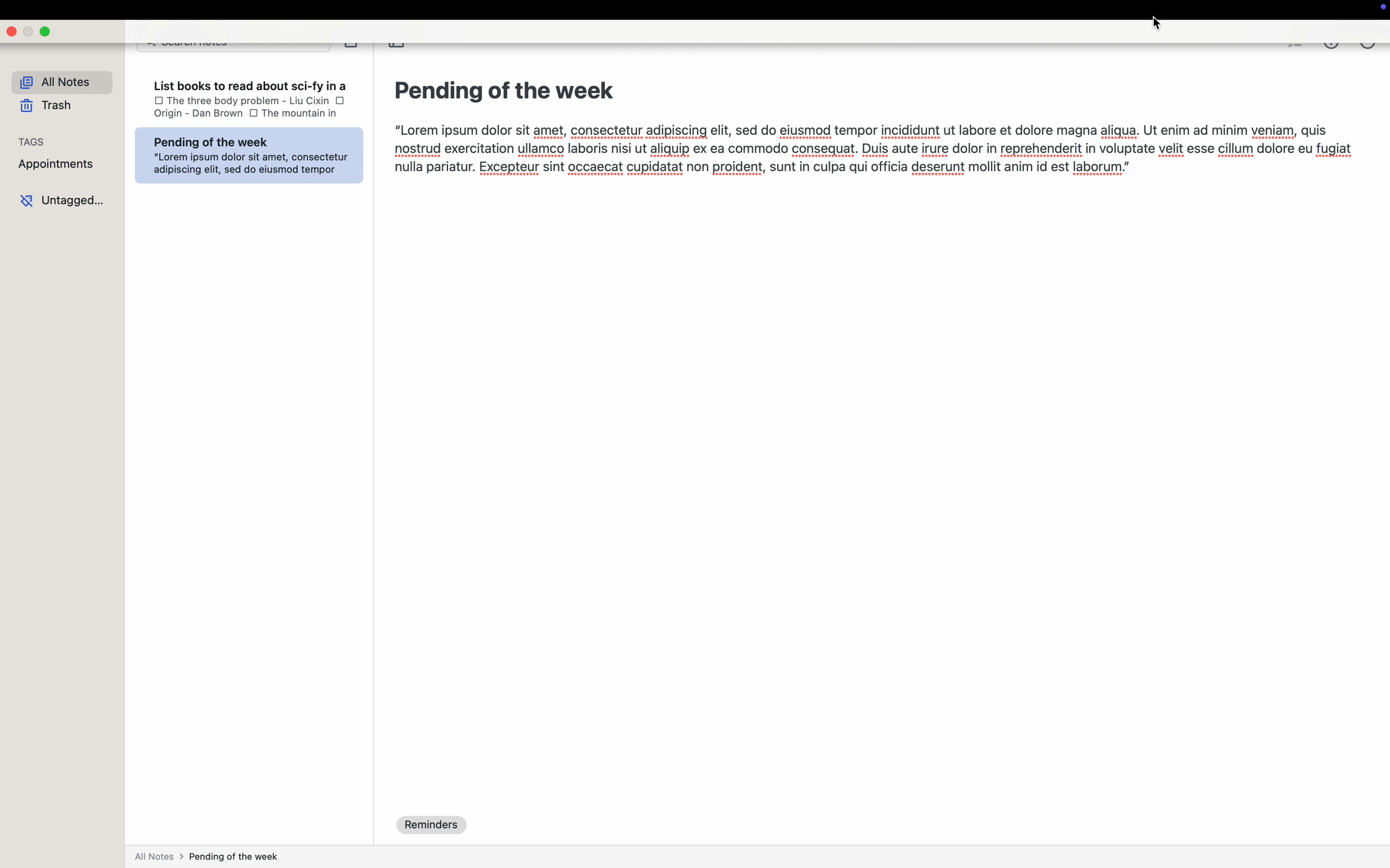 This screenshot has height=868, width=1390. What do you see at coordinates (46, 30) in the screenshot?
I see `maximize Simplenote` at bounding box center [46, 30].